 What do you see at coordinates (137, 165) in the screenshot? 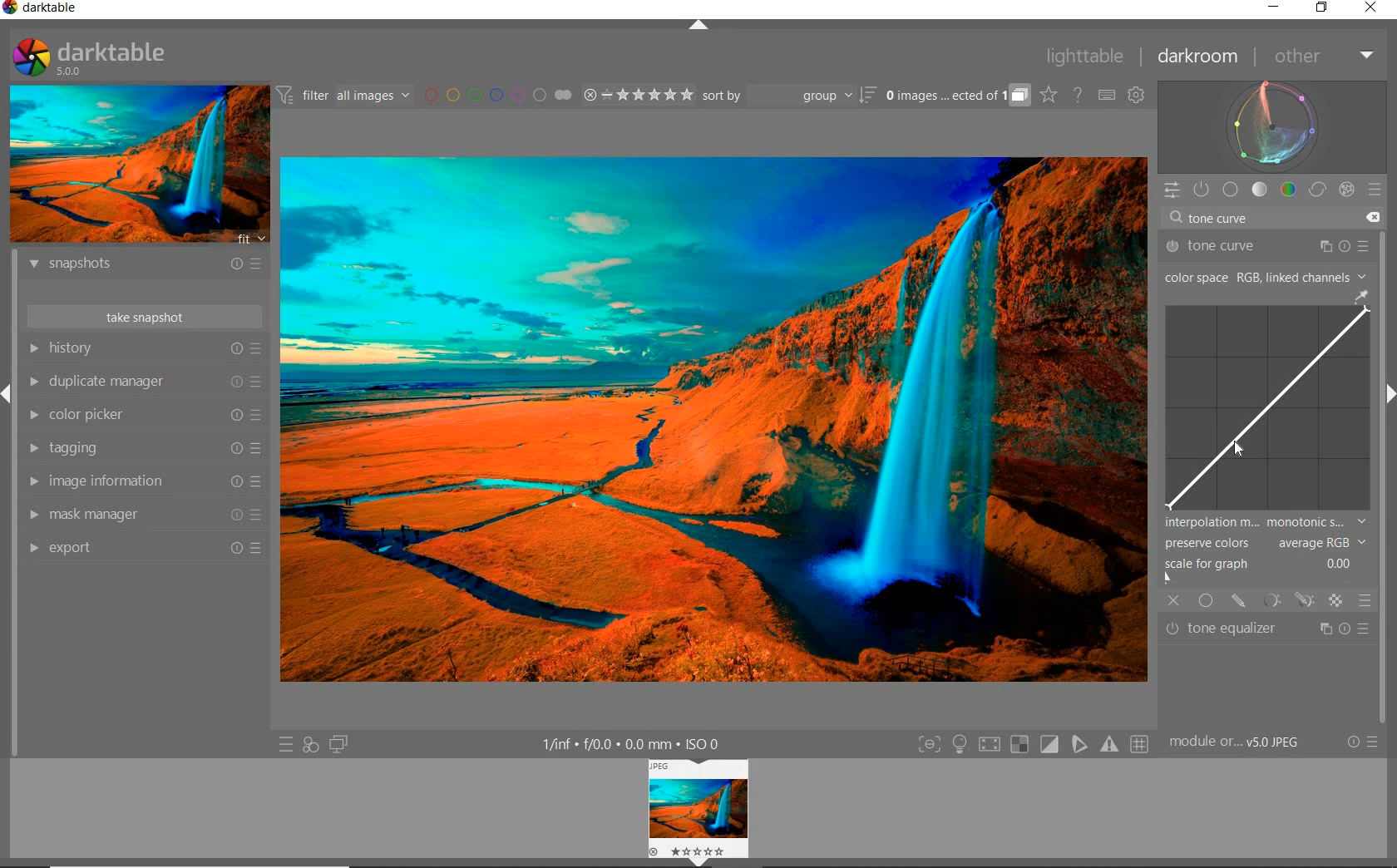
I see `IMAGE PREVIEW` at bounding box center [137, 165].